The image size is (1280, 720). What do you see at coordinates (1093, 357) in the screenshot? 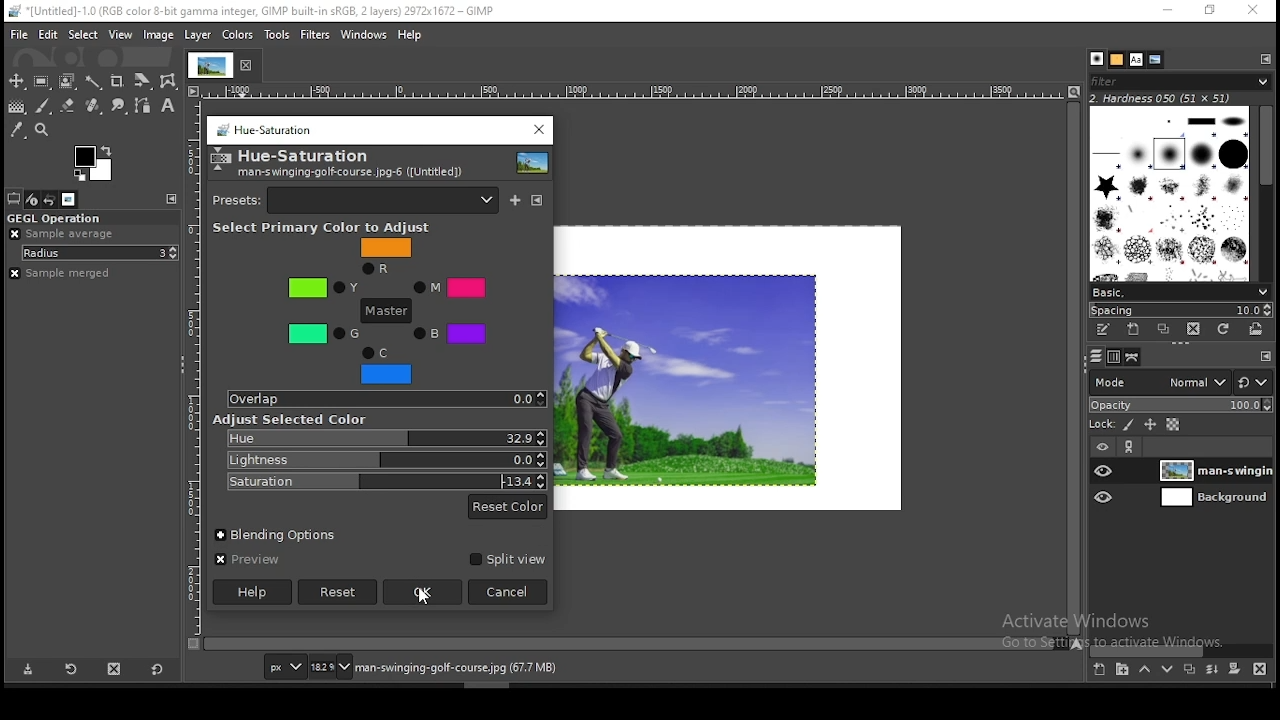
I see `layers` at bounding box center [1093, 357].